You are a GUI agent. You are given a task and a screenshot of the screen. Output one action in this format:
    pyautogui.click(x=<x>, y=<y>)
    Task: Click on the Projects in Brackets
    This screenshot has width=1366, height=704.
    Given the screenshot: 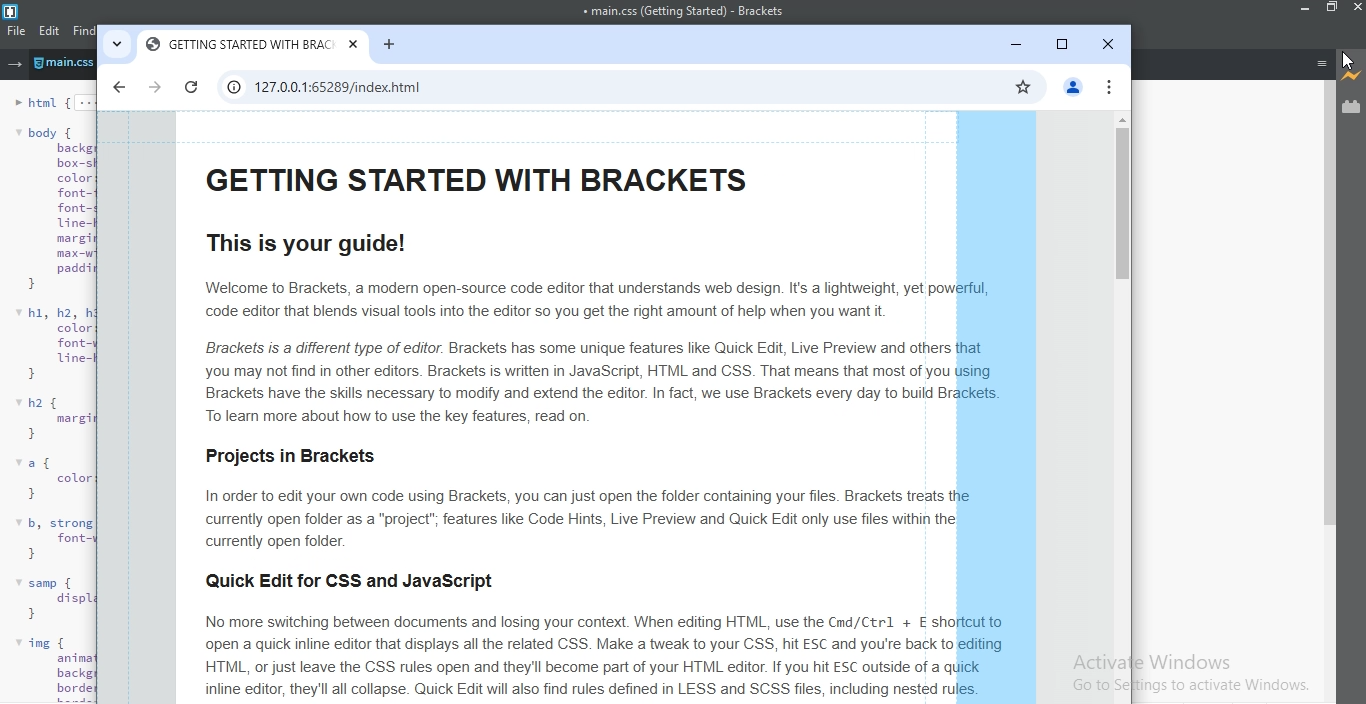 What is the action you would take?
    pyautogui.click(x=294, y=456)
    